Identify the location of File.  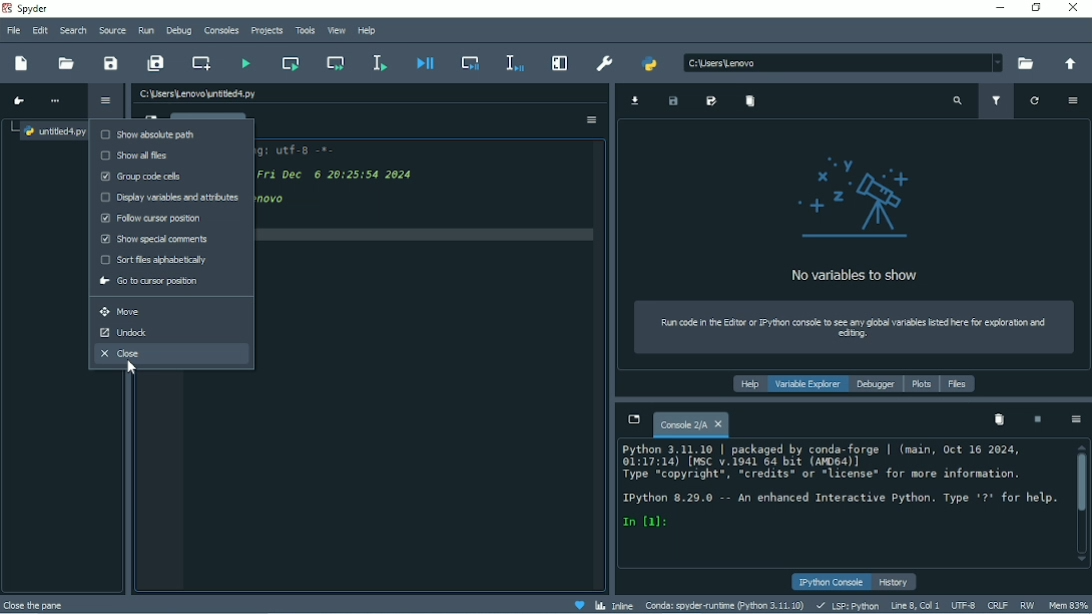
(12, 31).